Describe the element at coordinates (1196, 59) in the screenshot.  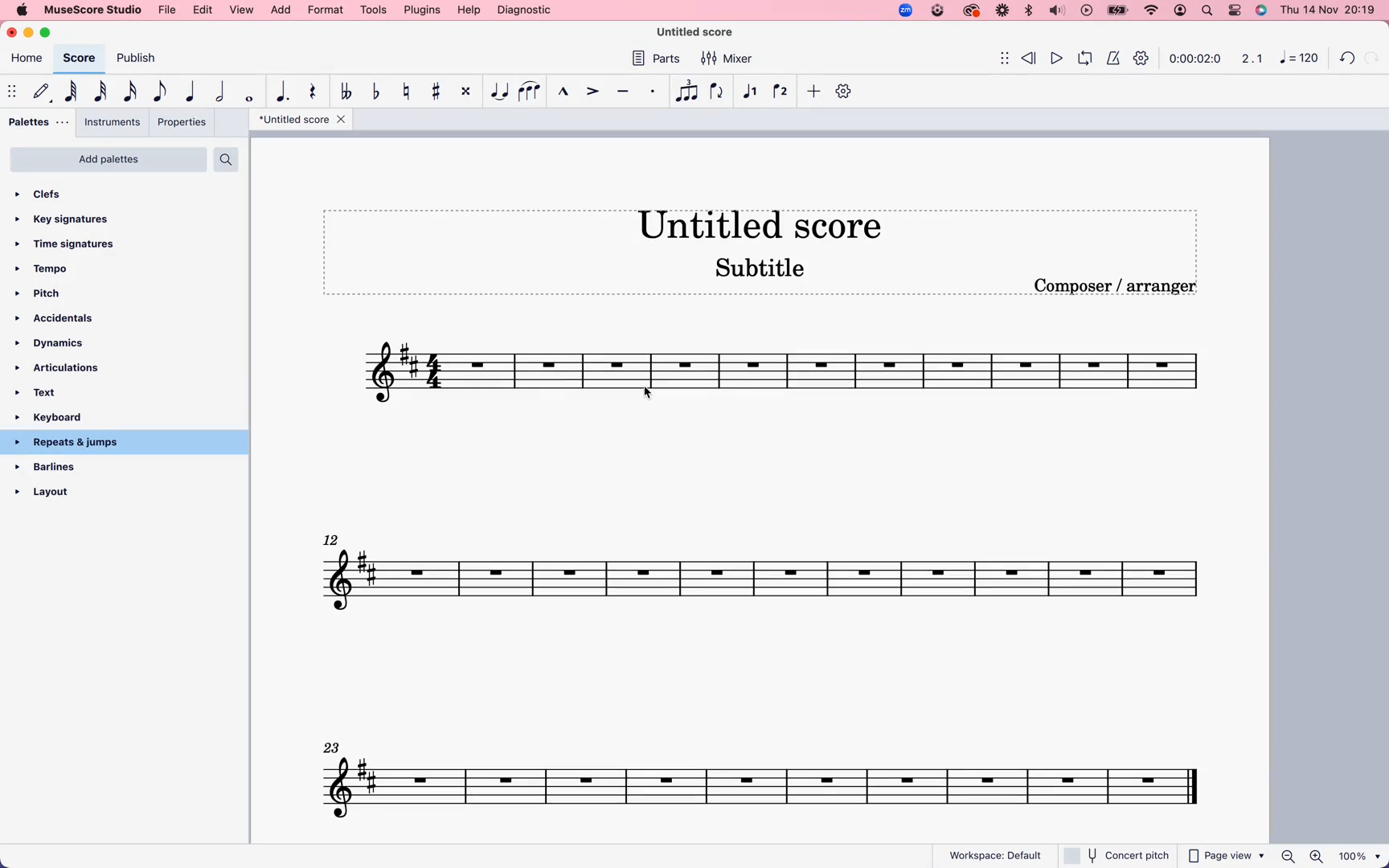
I see `time` at that location.